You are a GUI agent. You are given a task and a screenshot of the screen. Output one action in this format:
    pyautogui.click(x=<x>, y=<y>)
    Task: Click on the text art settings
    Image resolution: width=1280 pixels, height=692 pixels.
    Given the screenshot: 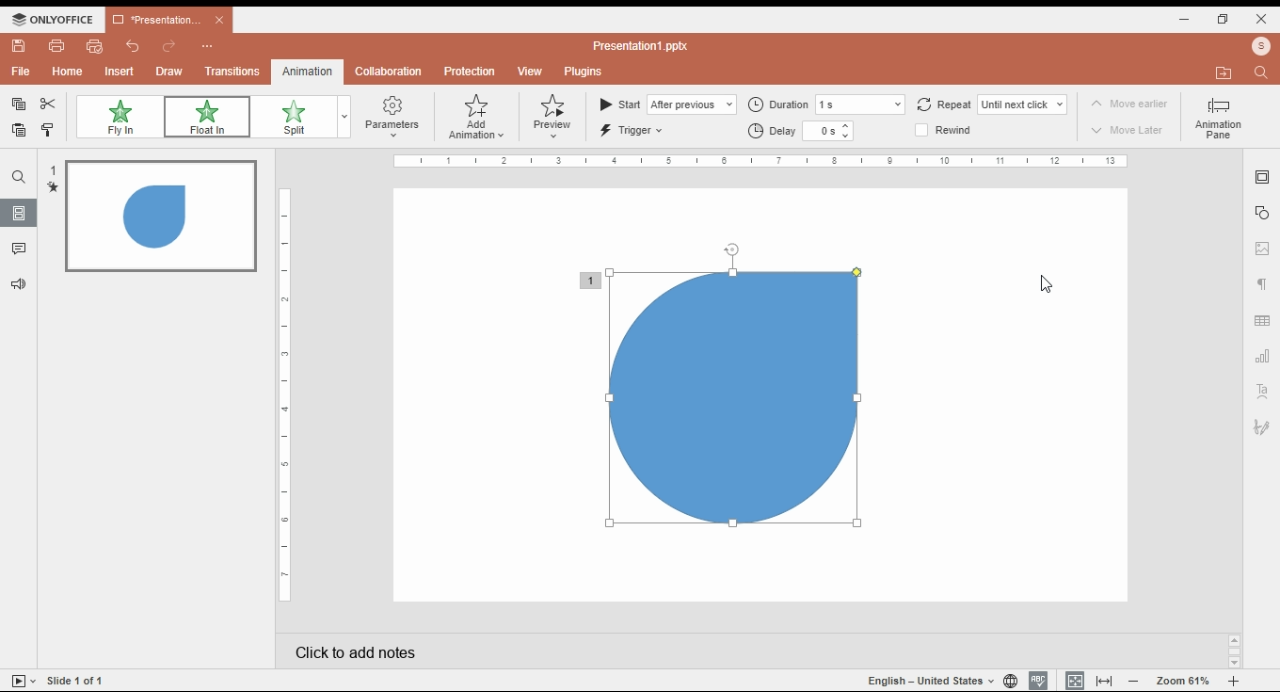 What is the action you would take?
    pyautogui.click(x=1262, y=392)
    